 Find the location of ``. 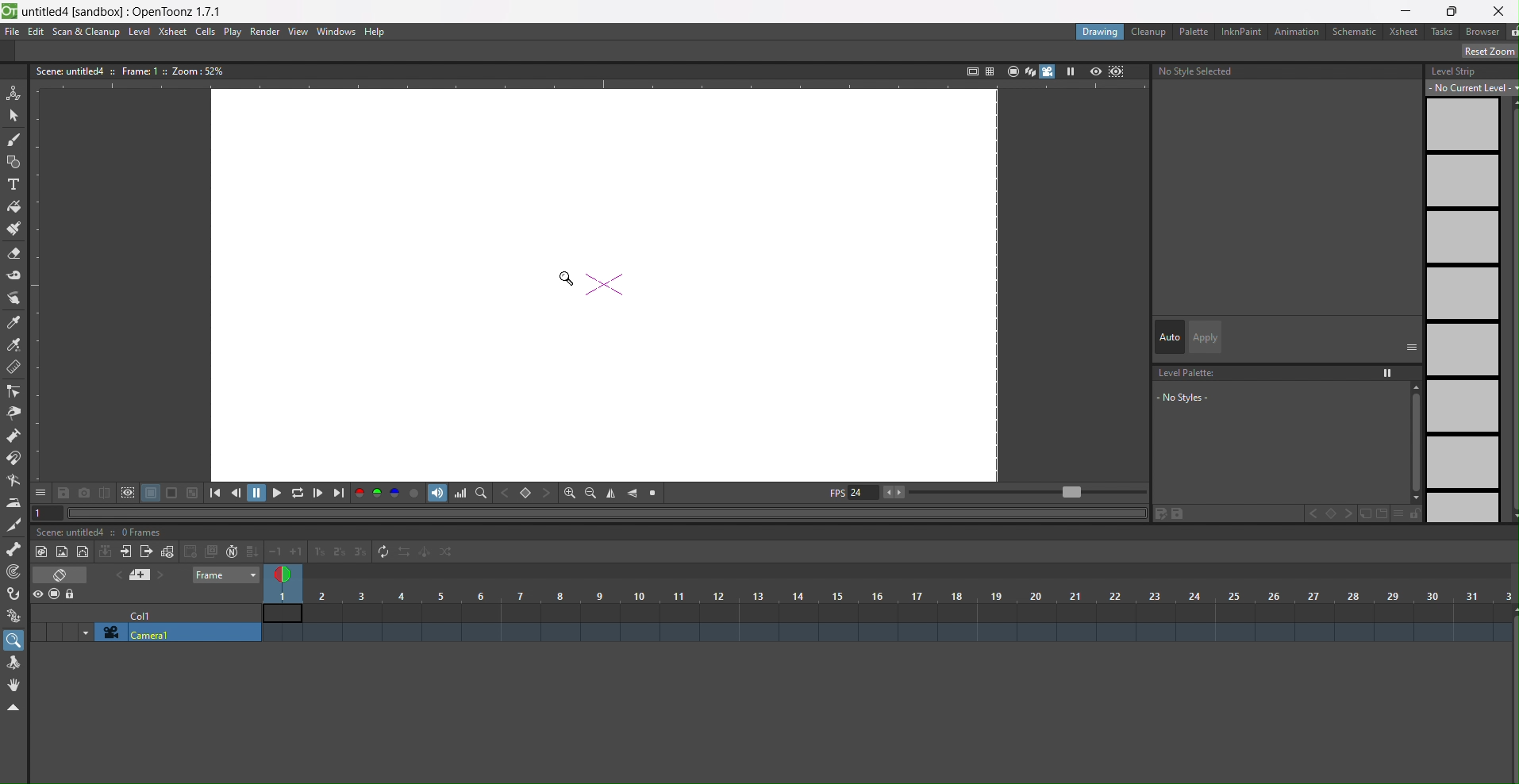

 is located at coordinates (460, 493).